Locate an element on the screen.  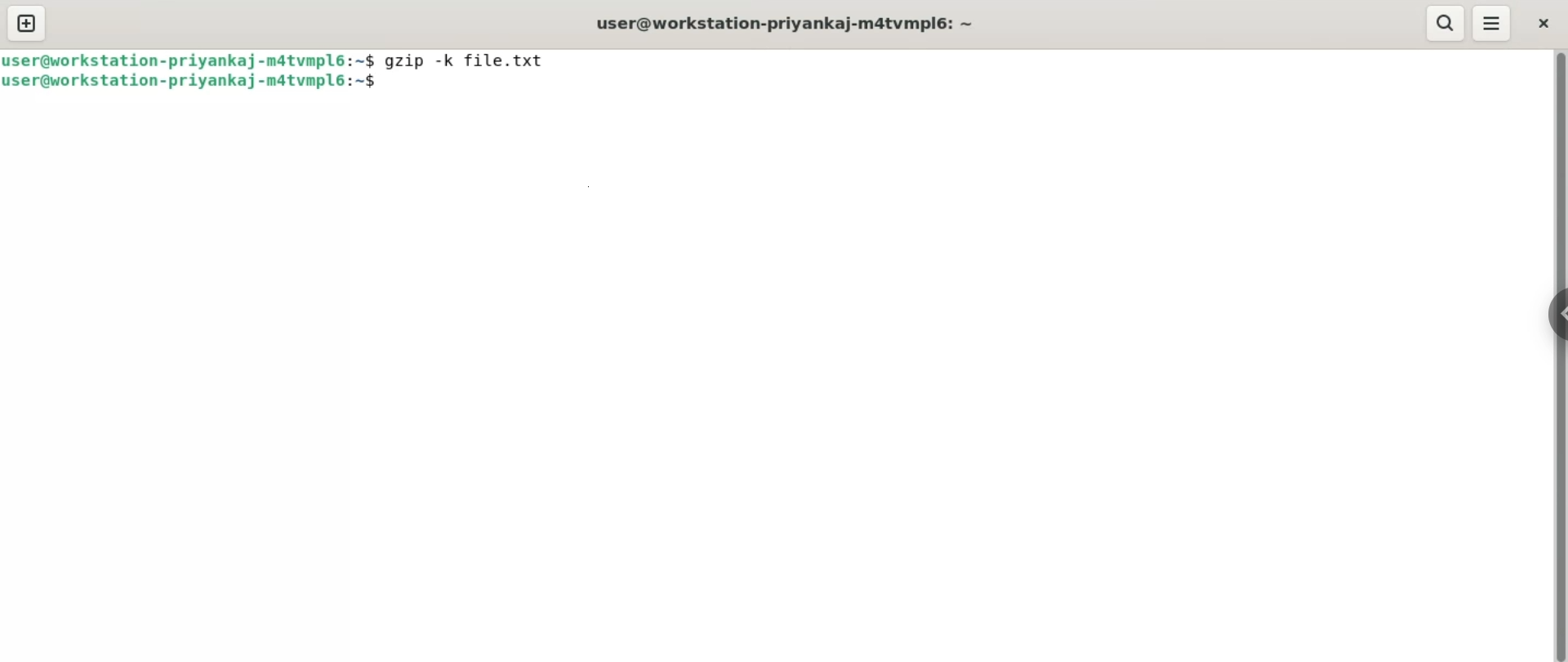
 user@workstation-priyanka-m4tvmpl6:~ is located at coordinates (189, 61).